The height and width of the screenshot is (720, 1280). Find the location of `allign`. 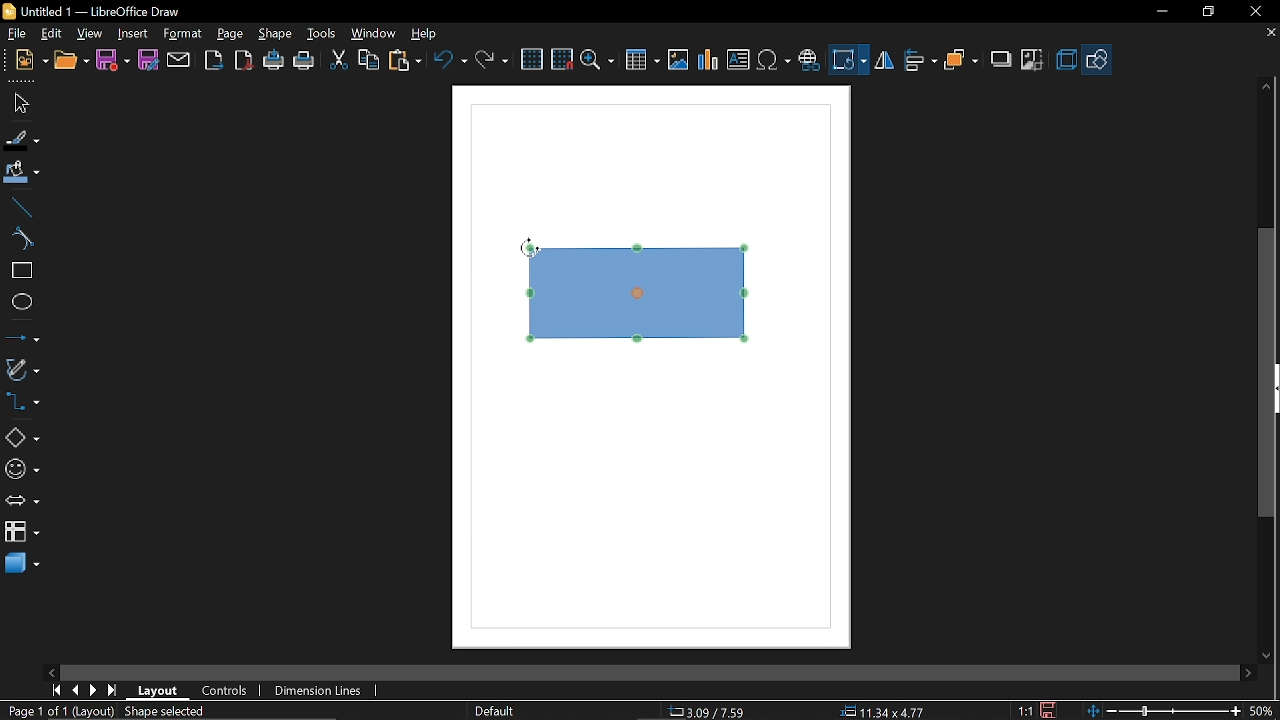

allign is located at coordinates (918, 61).